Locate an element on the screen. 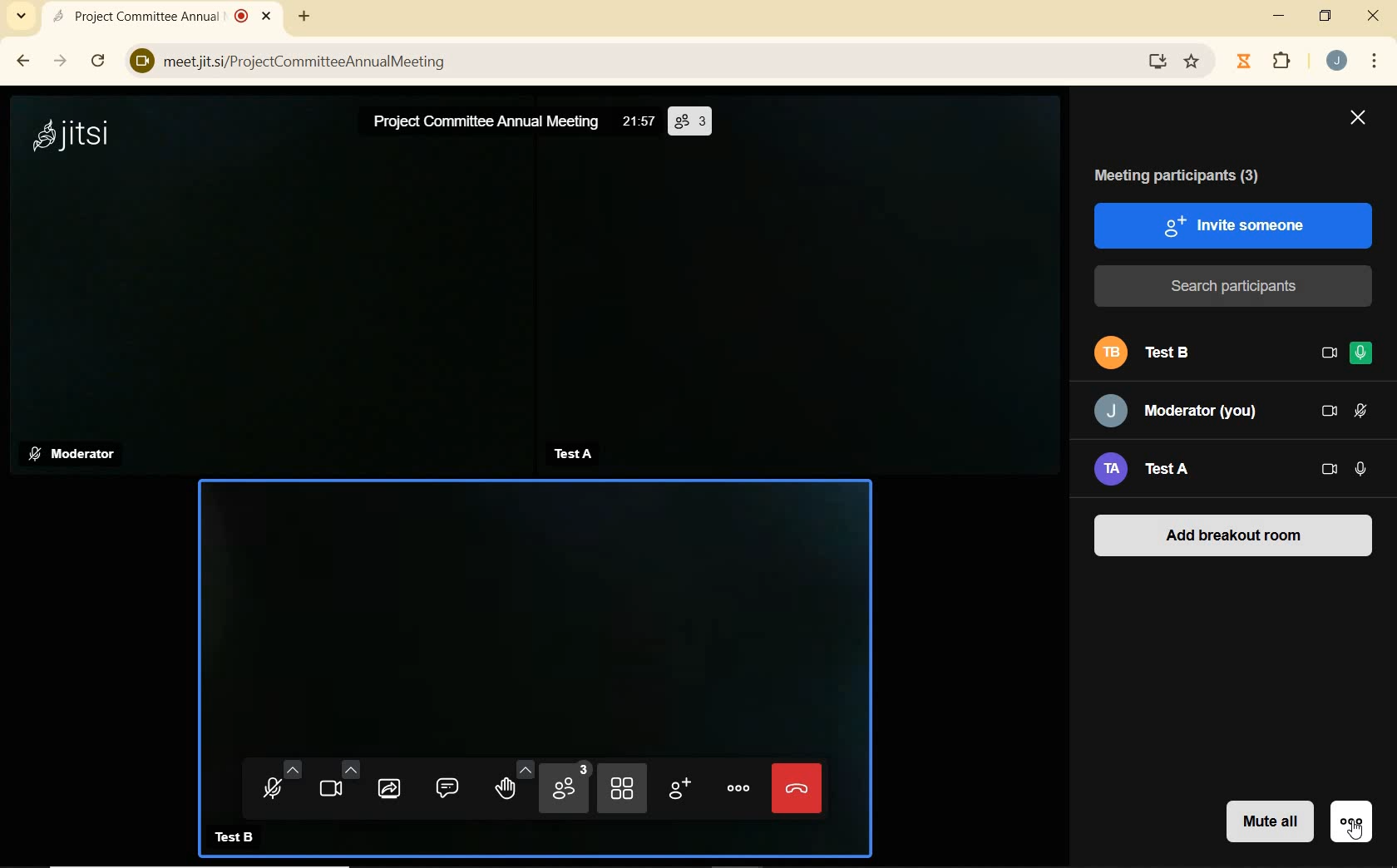 This screenshot has height=868, width=1397. CLOSE is located at coordinates (1357, 121).